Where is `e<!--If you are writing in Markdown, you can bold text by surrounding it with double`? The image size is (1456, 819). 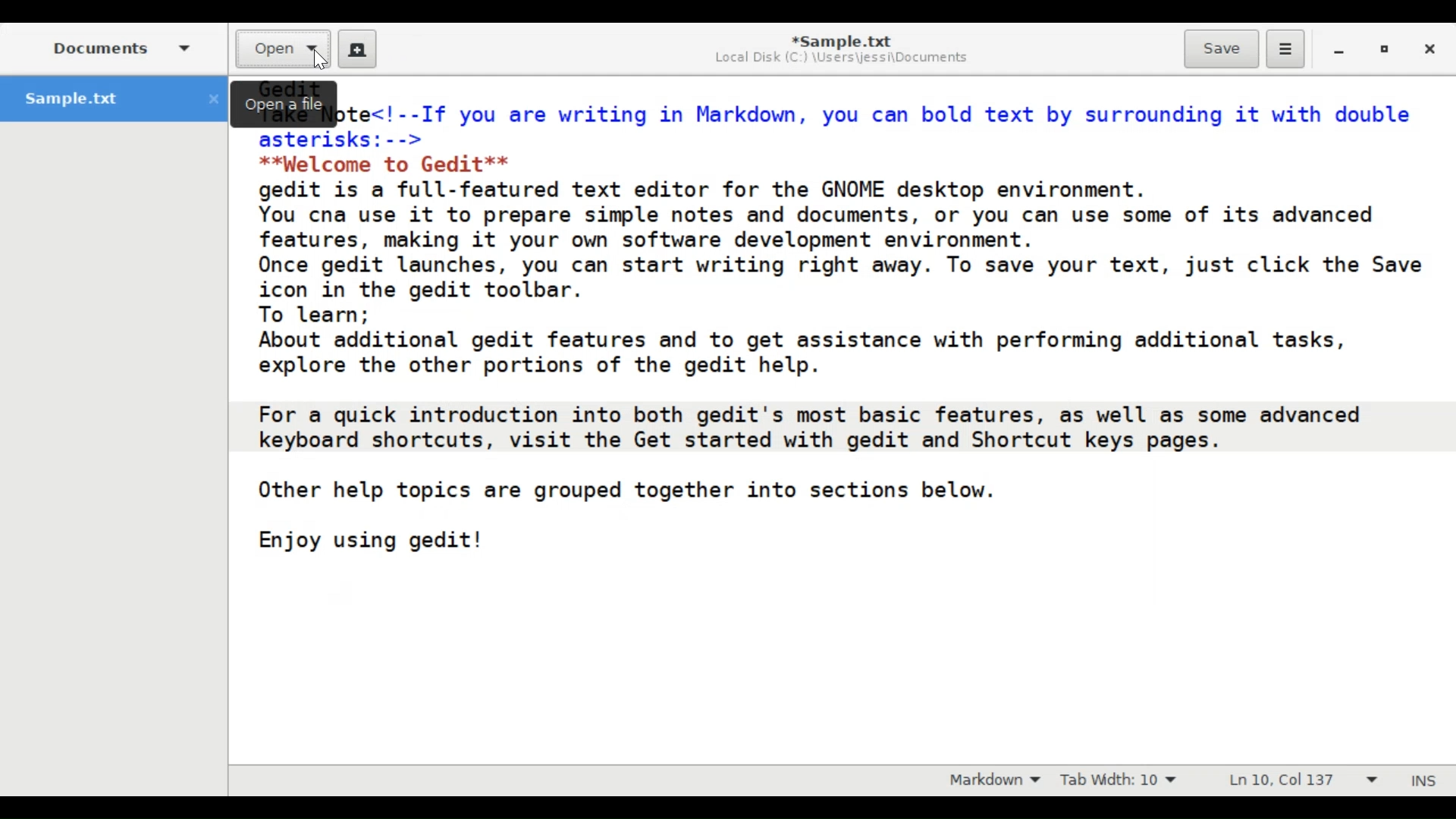
e<!--If you are writing in Markdown, you can bold text by surrounding it with double is located at coordinates (881, 108).